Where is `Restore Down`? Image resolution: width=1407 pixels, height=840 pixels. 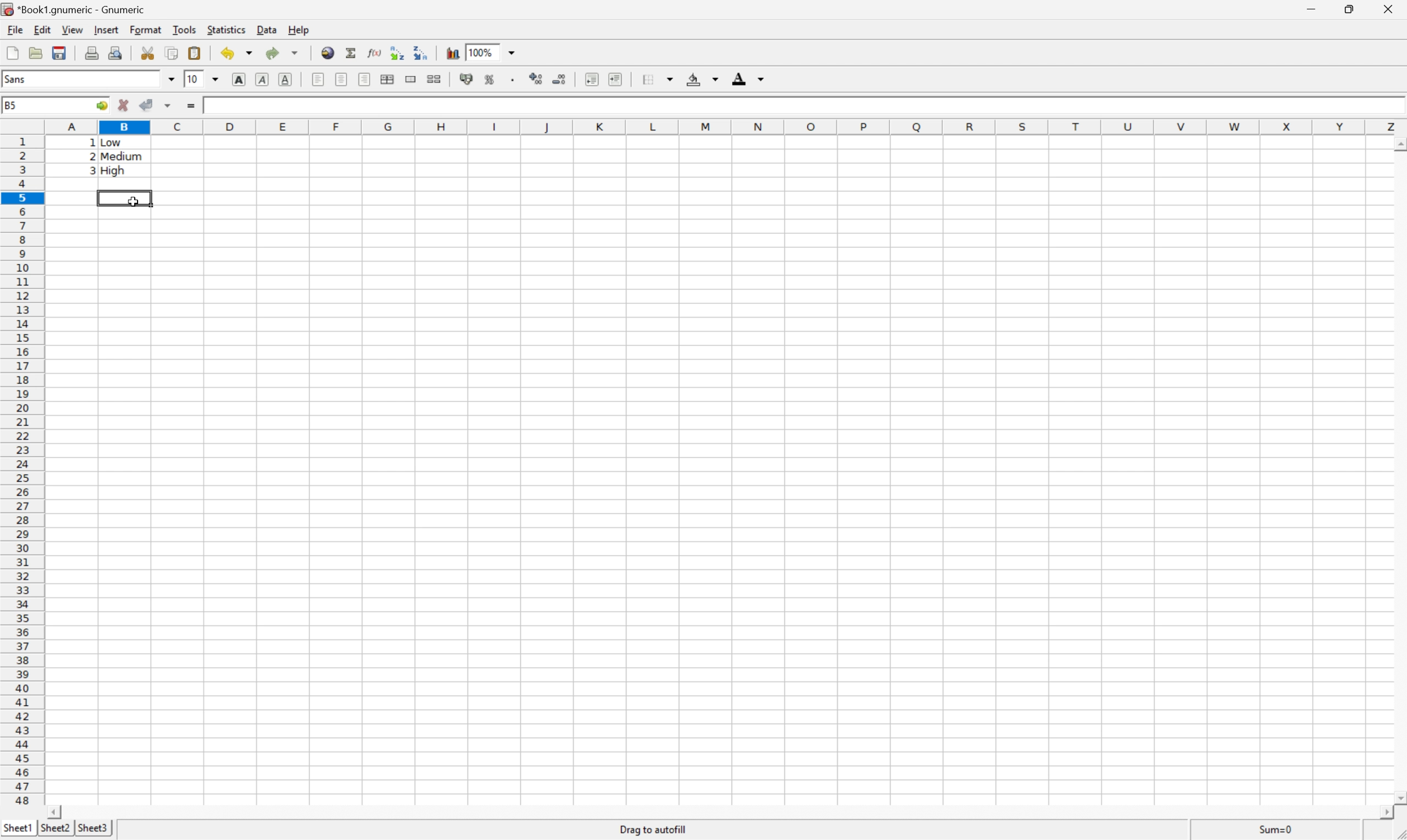
Restore Down is located at coordinates (1349, 9).